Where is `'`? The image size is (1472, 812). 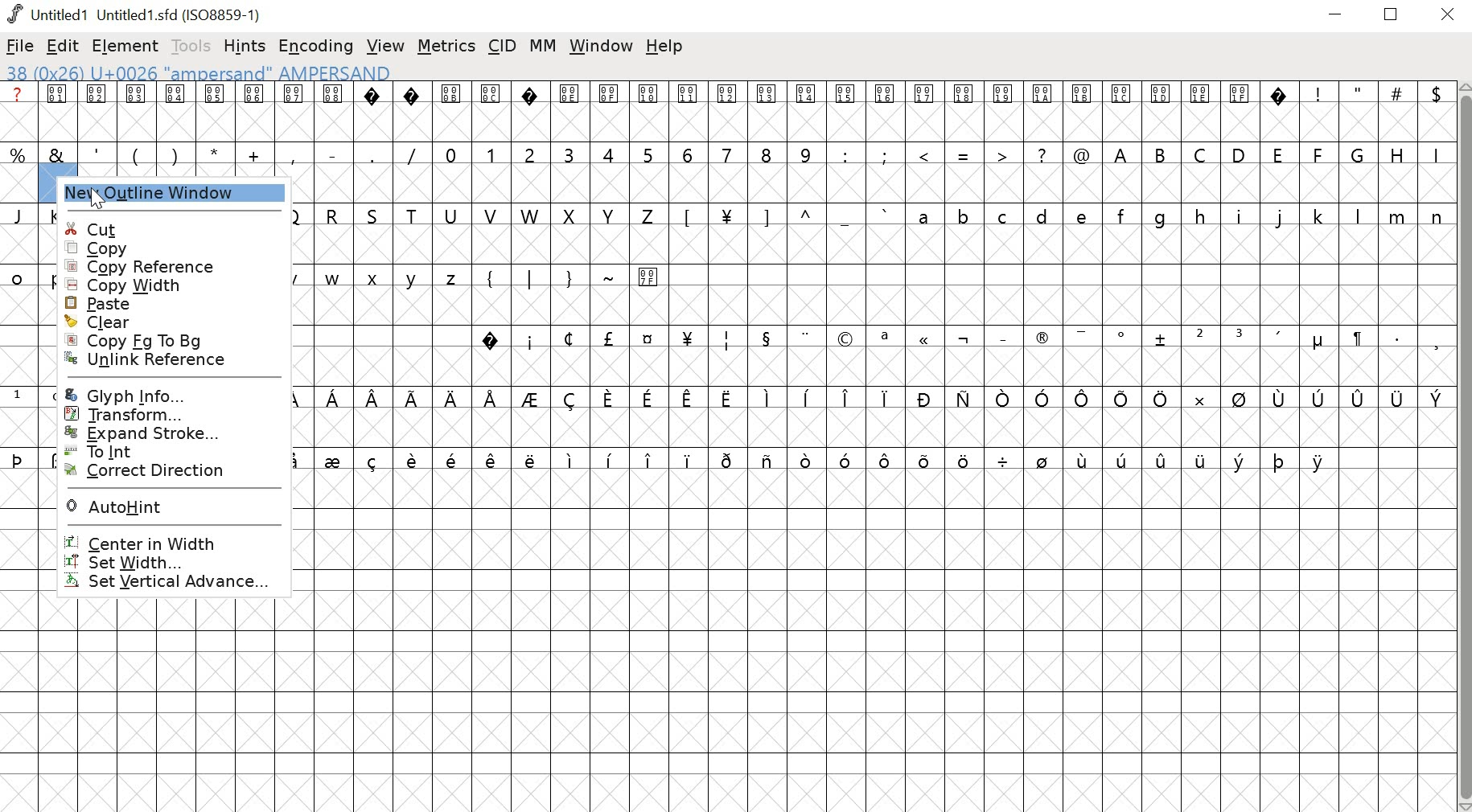 ' is located at coordinates (1281, 338).